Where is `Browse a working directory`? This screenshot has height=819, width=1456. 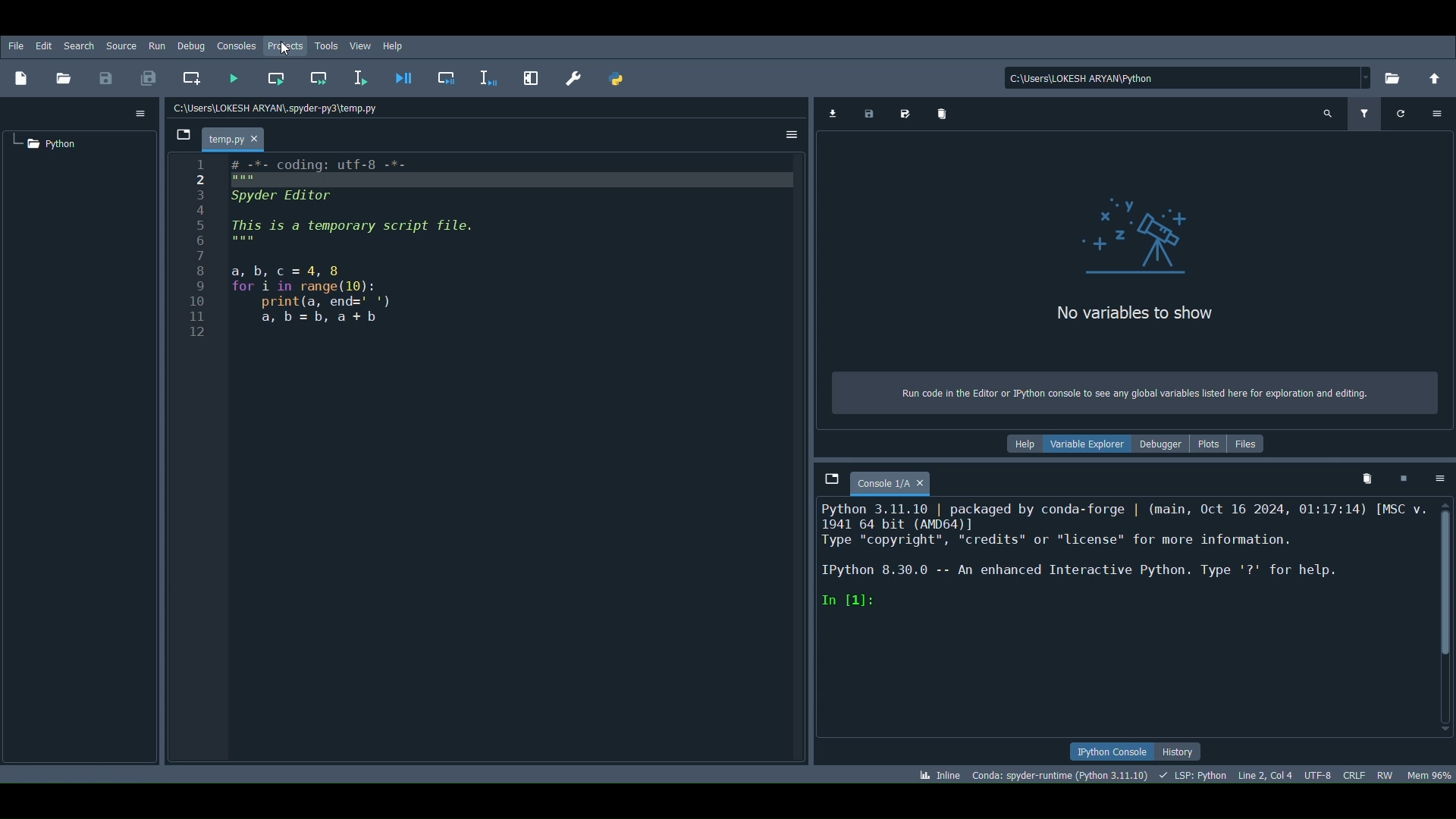
Browse a working directory is located at coordinates (1398, 80).